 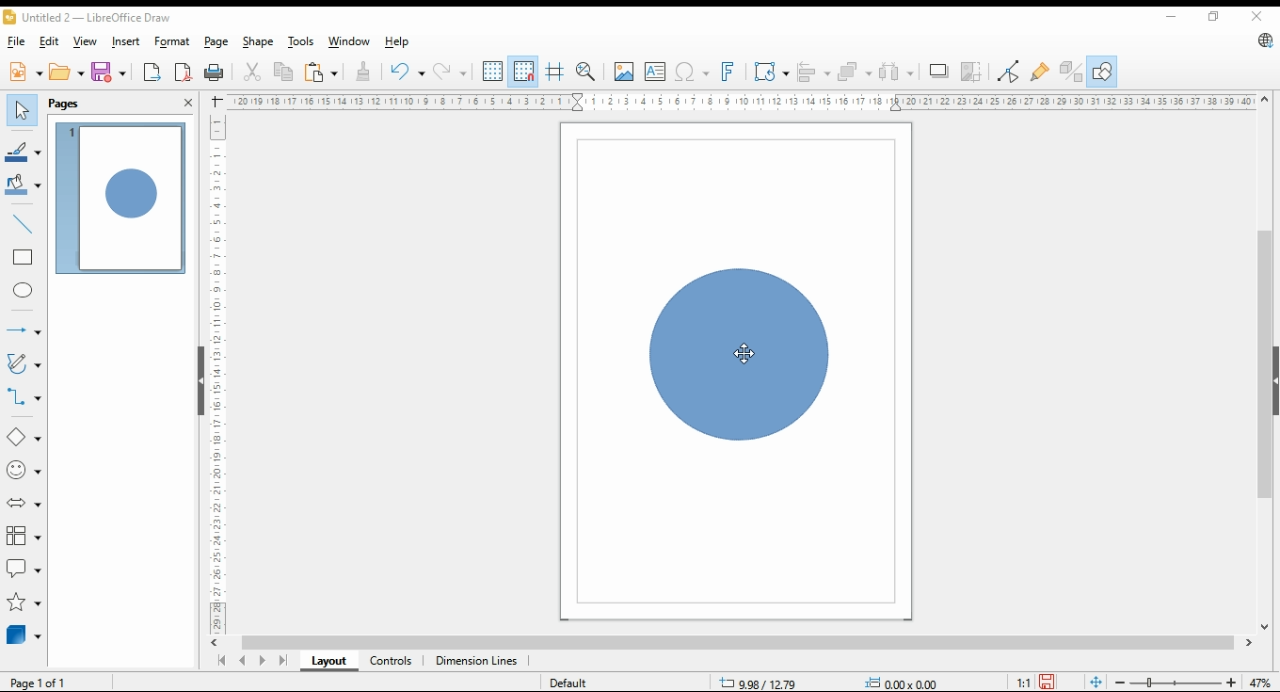 I want to click on 9.98/12.79, so click(x=759, y=684).